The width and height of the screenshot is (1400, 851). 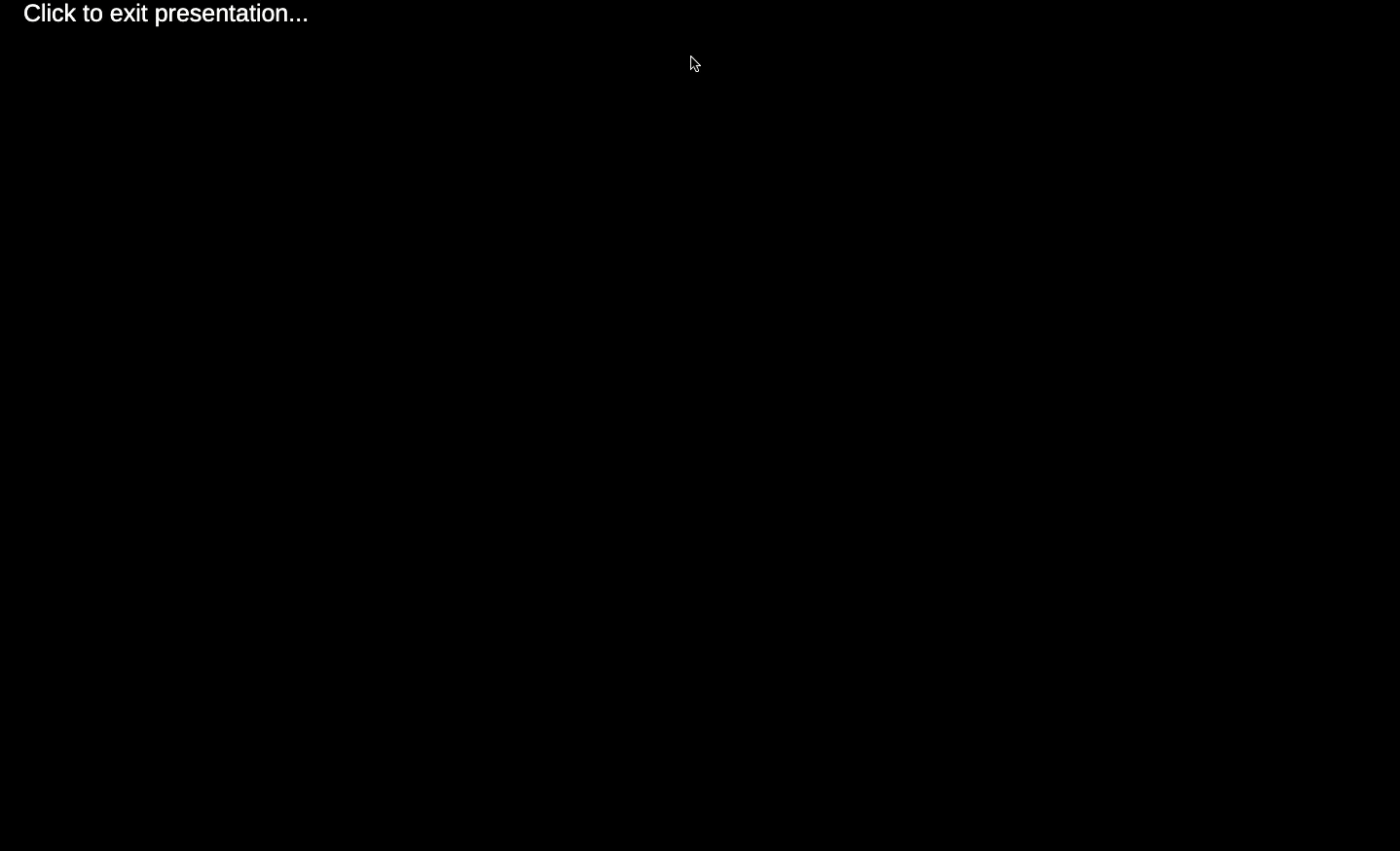 What do you see at coordinates (701, 64) in the screenshot?
I see `cursor` at bounding box center [701, 64].